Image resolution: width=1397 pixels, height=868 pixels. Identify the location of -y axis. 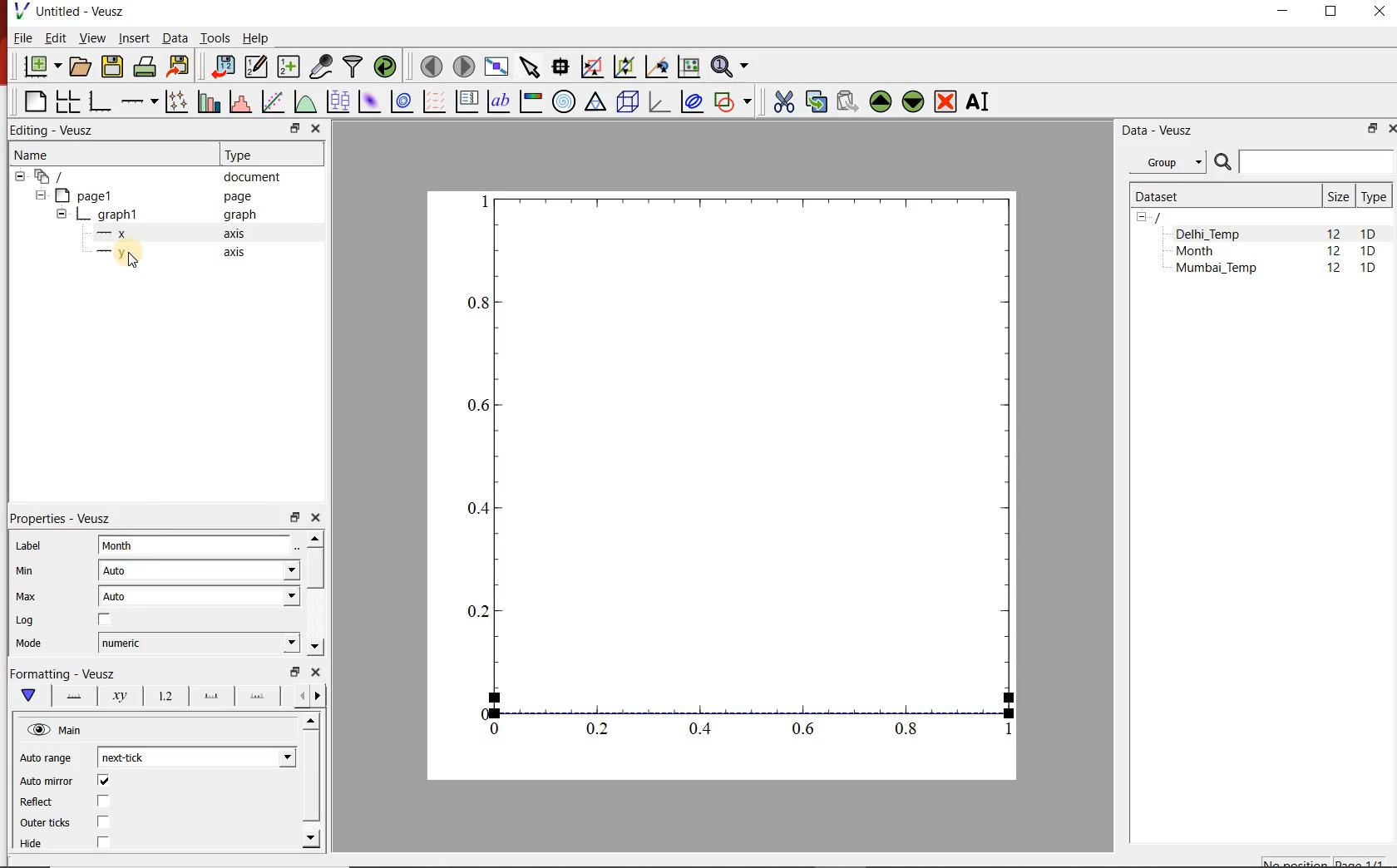
(164, 254).